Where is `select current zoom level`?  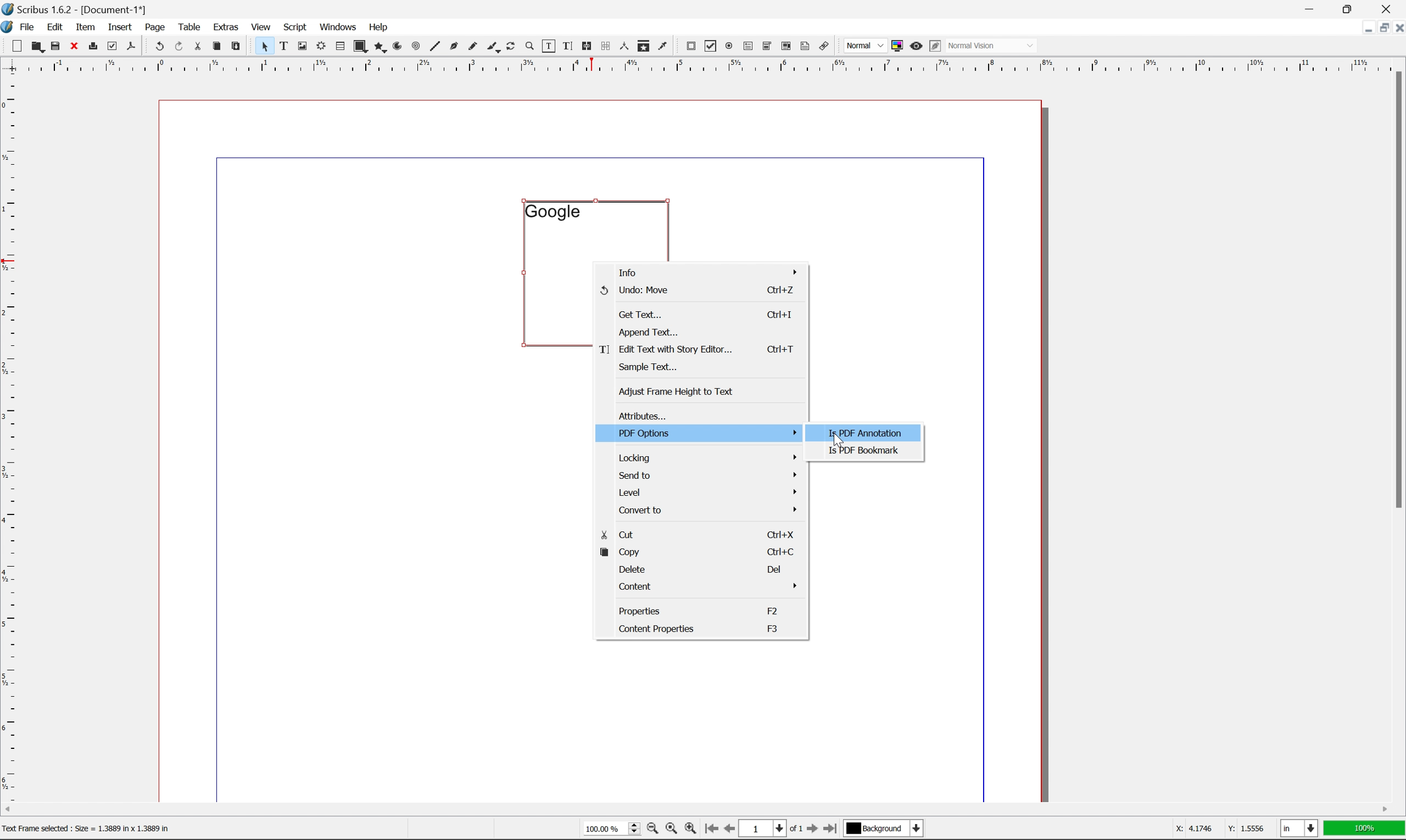 select current zoom level is located at coordinates (612, 829).